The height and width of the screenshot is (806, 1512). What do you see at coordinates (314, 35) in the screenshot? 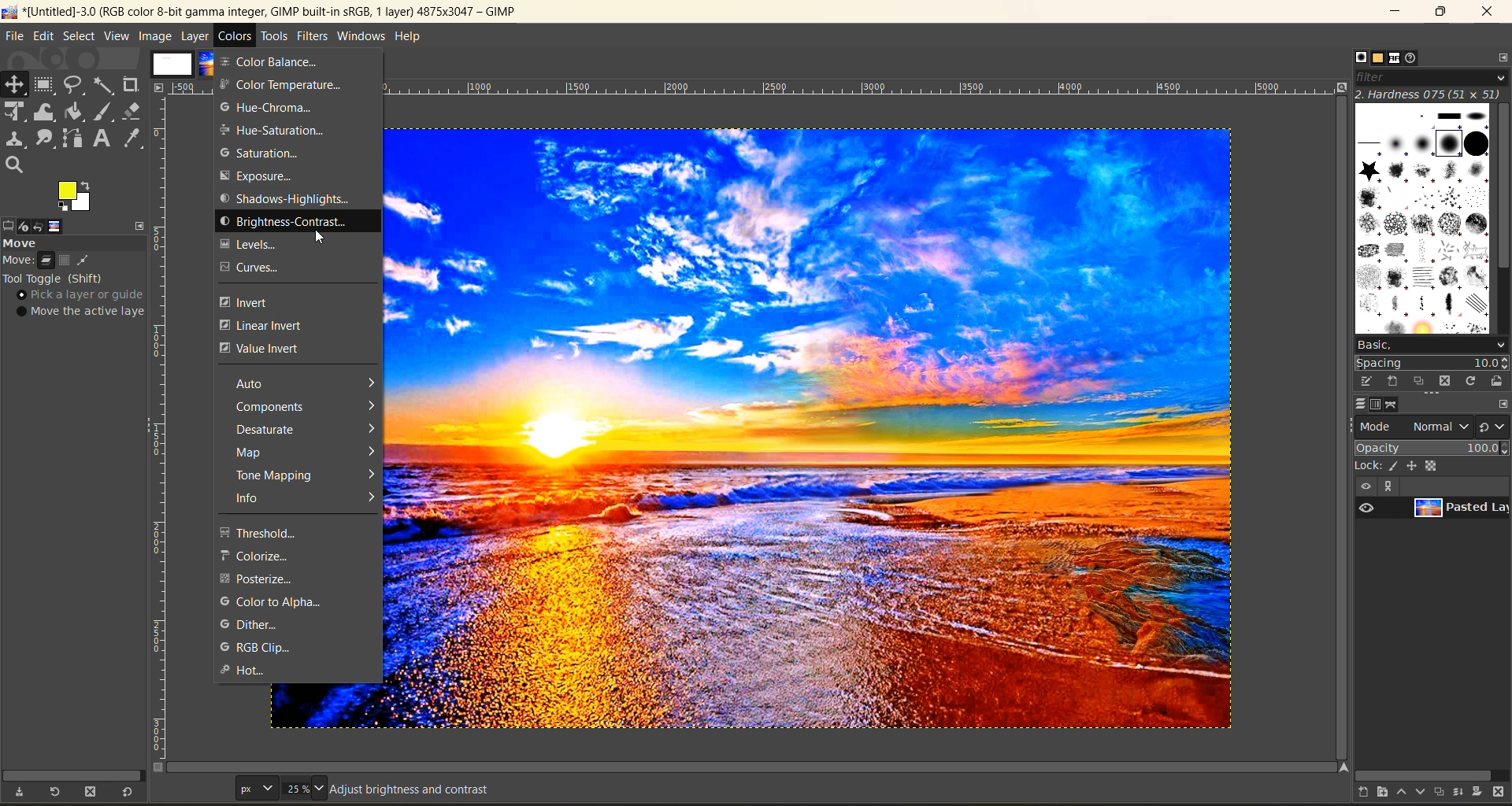
I see `filters` at bounding box center [314, 35].